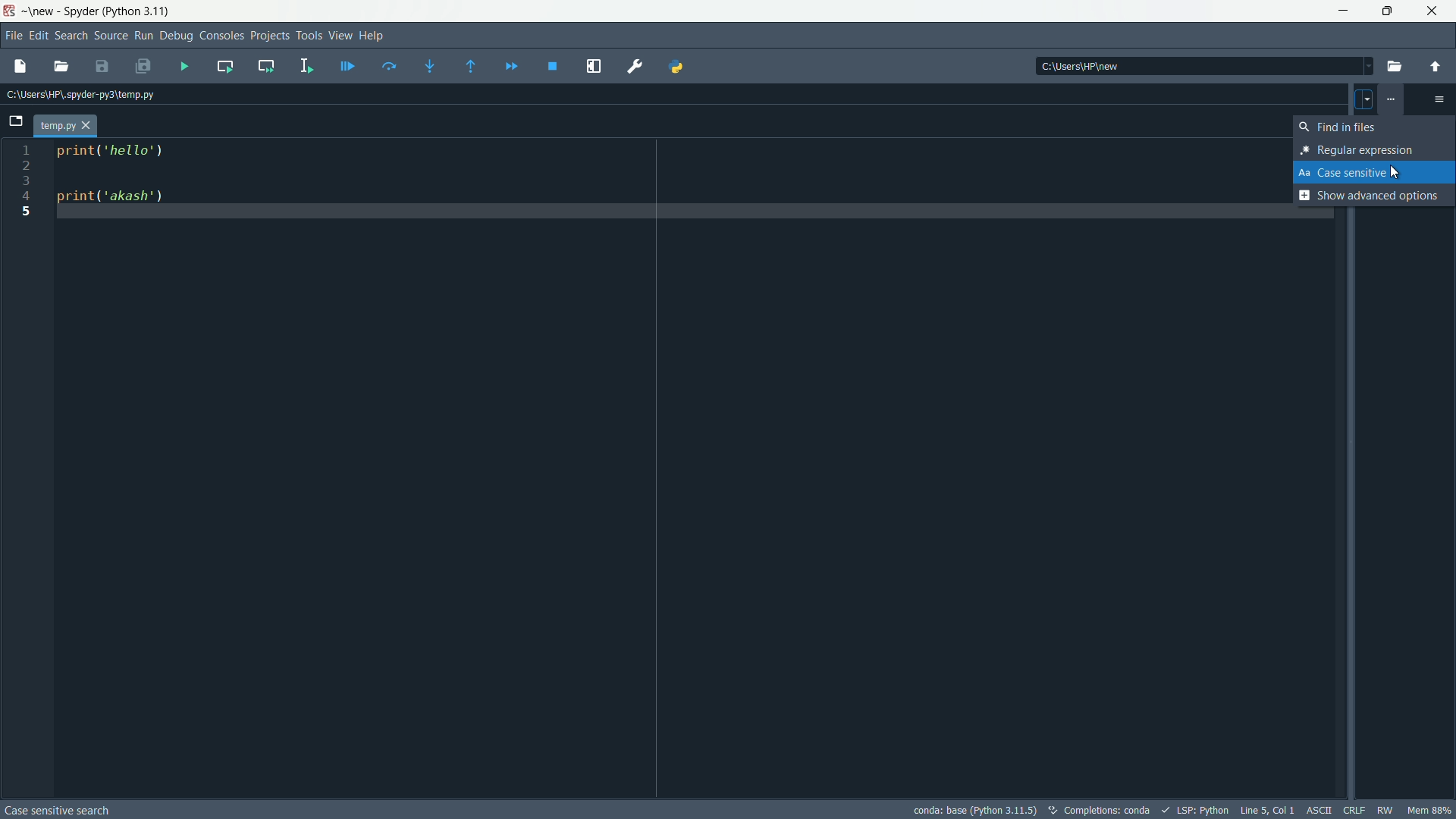 The height and width of the screenshot is (819, 1456). Describe the element at coordinates (468, 67) in the screenshot. I see `Run until current function` at that location.